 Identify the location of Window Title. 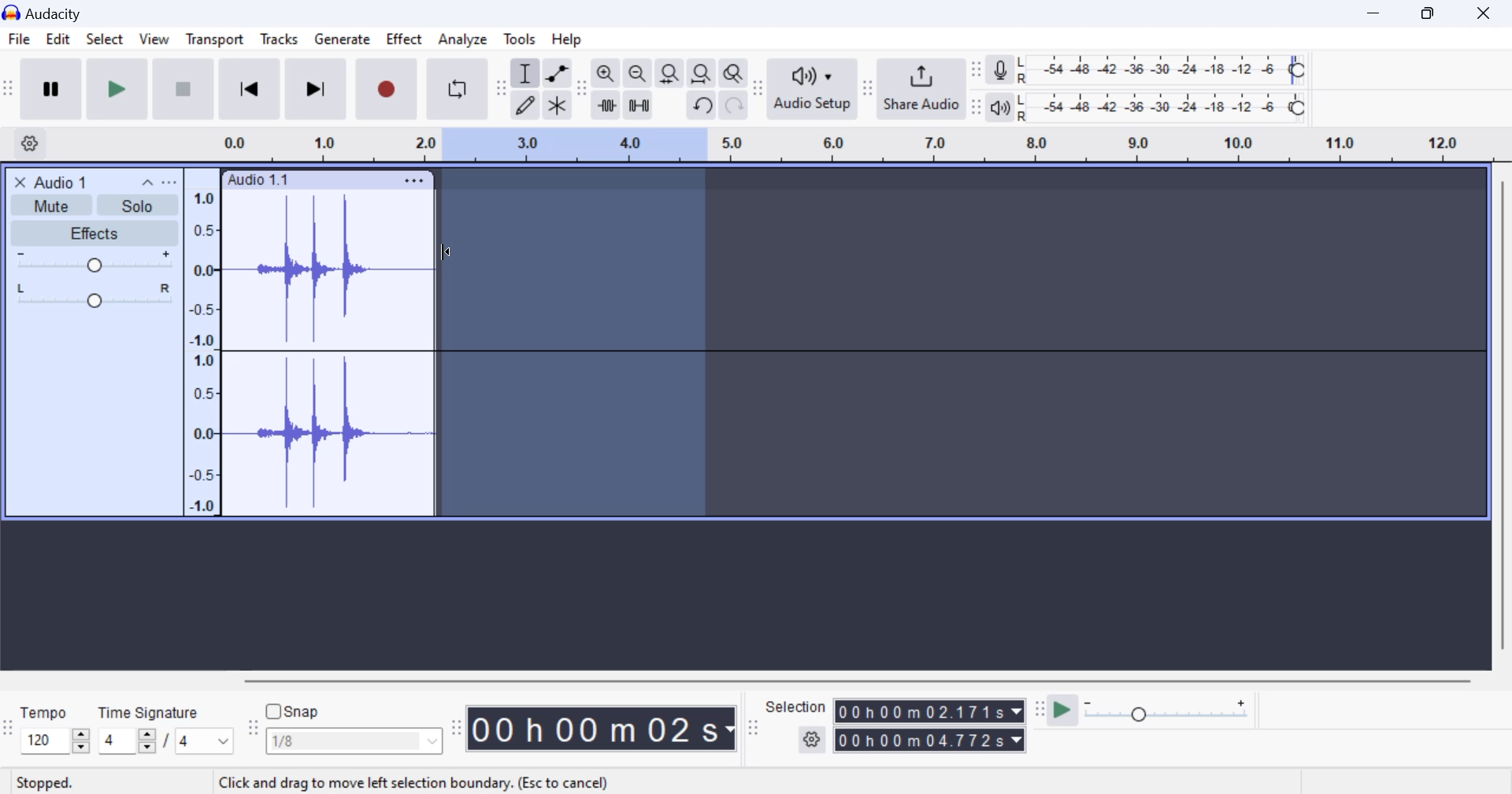
(50, 13).